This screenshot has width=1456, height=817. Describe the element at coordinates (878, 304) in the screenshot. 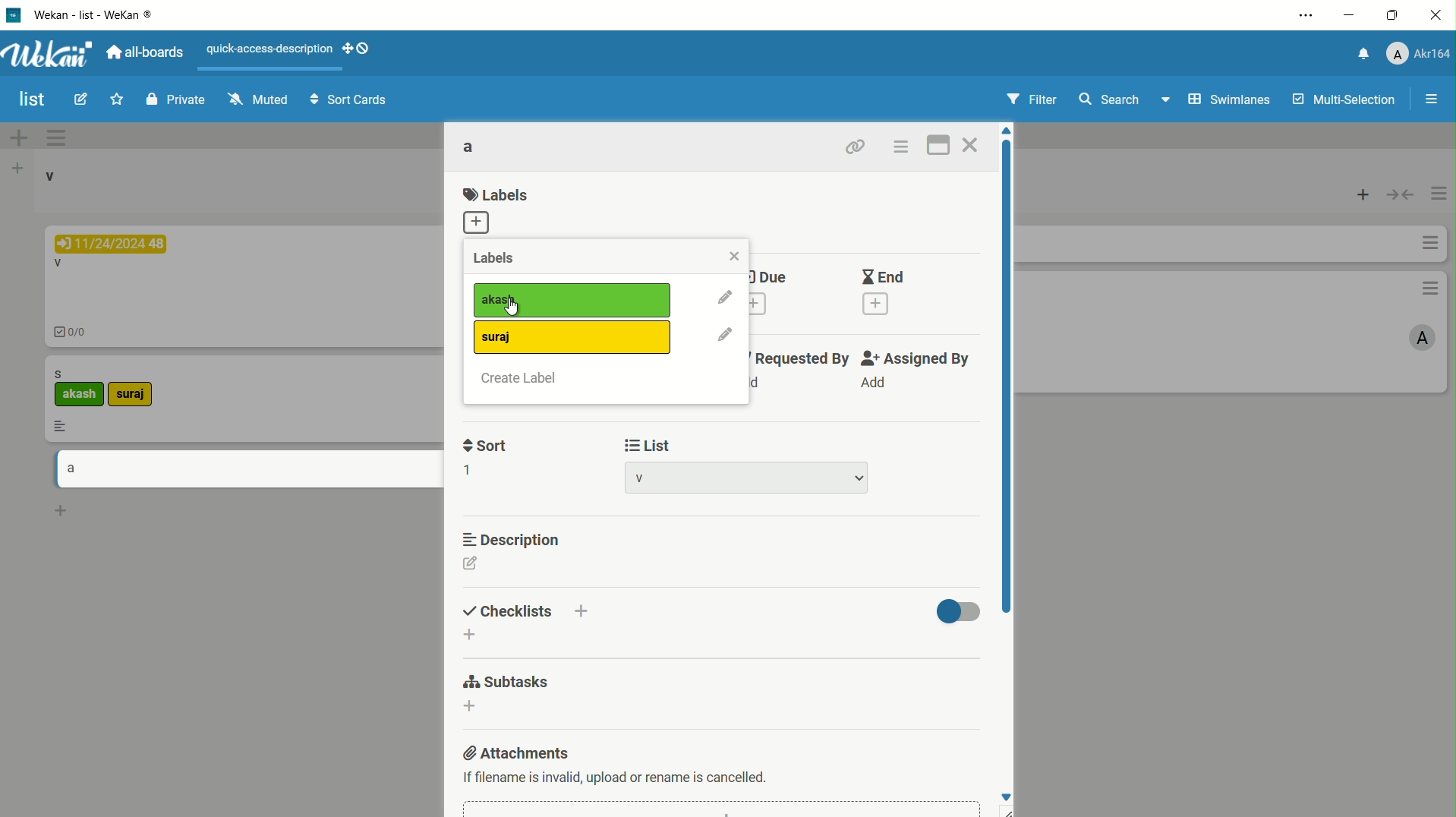

I see `add end date` at that location.